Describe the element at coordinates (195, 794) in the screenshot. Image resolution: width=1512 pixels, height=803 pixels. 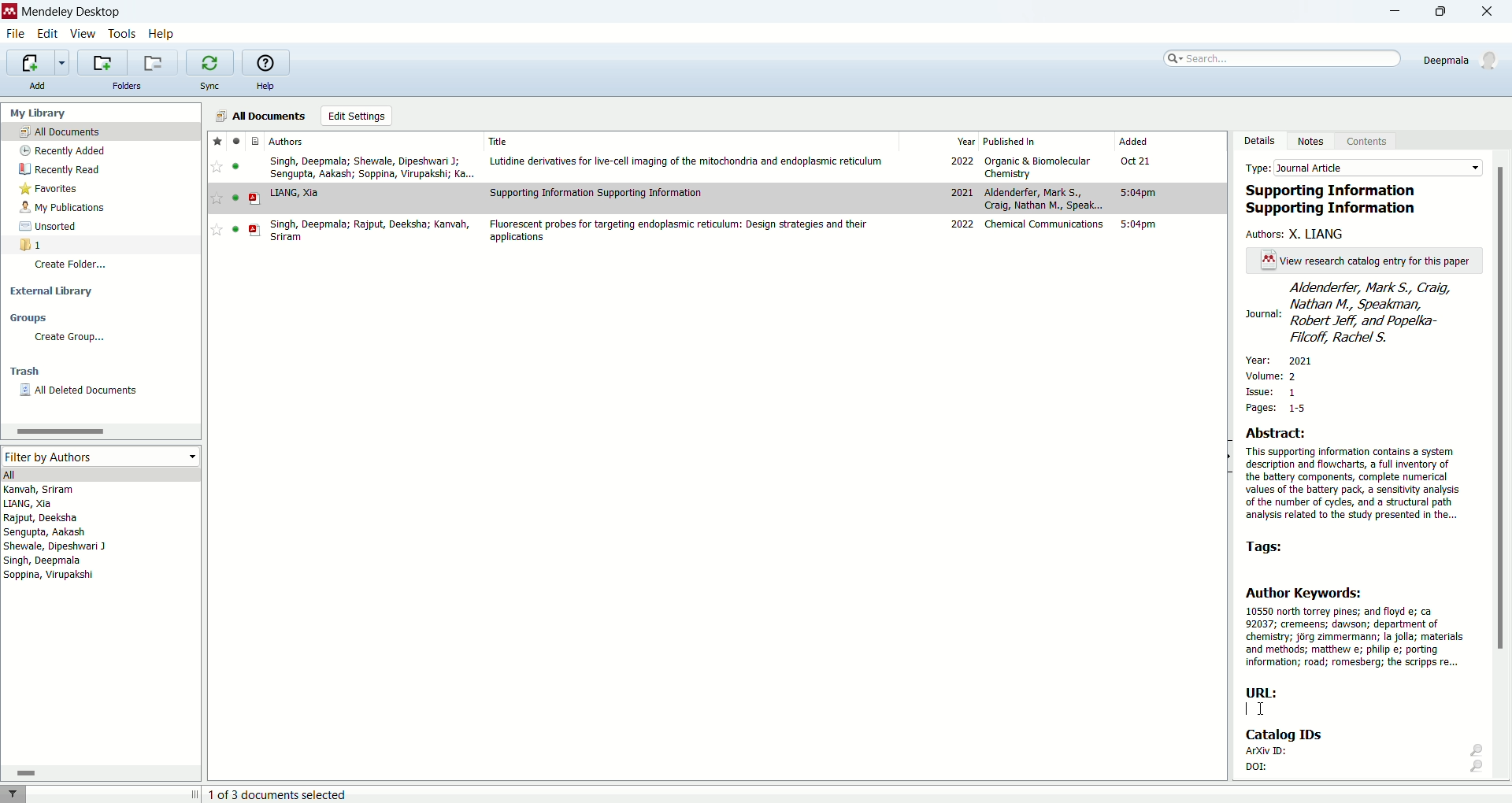
I see `toggle expand/contract` at that location.